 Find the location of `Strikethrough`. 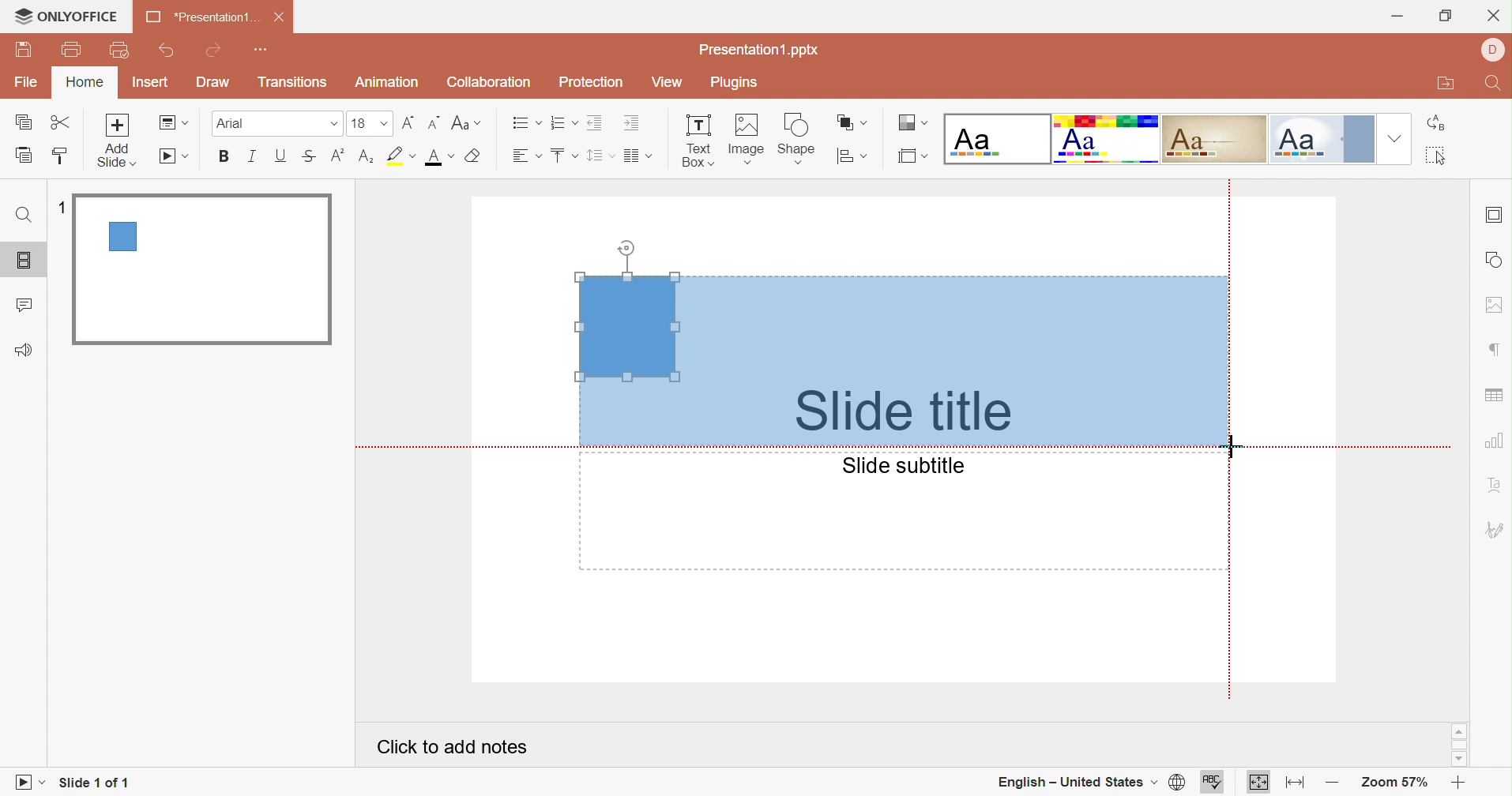

Strikethrough is located at coordinates (308, 158).